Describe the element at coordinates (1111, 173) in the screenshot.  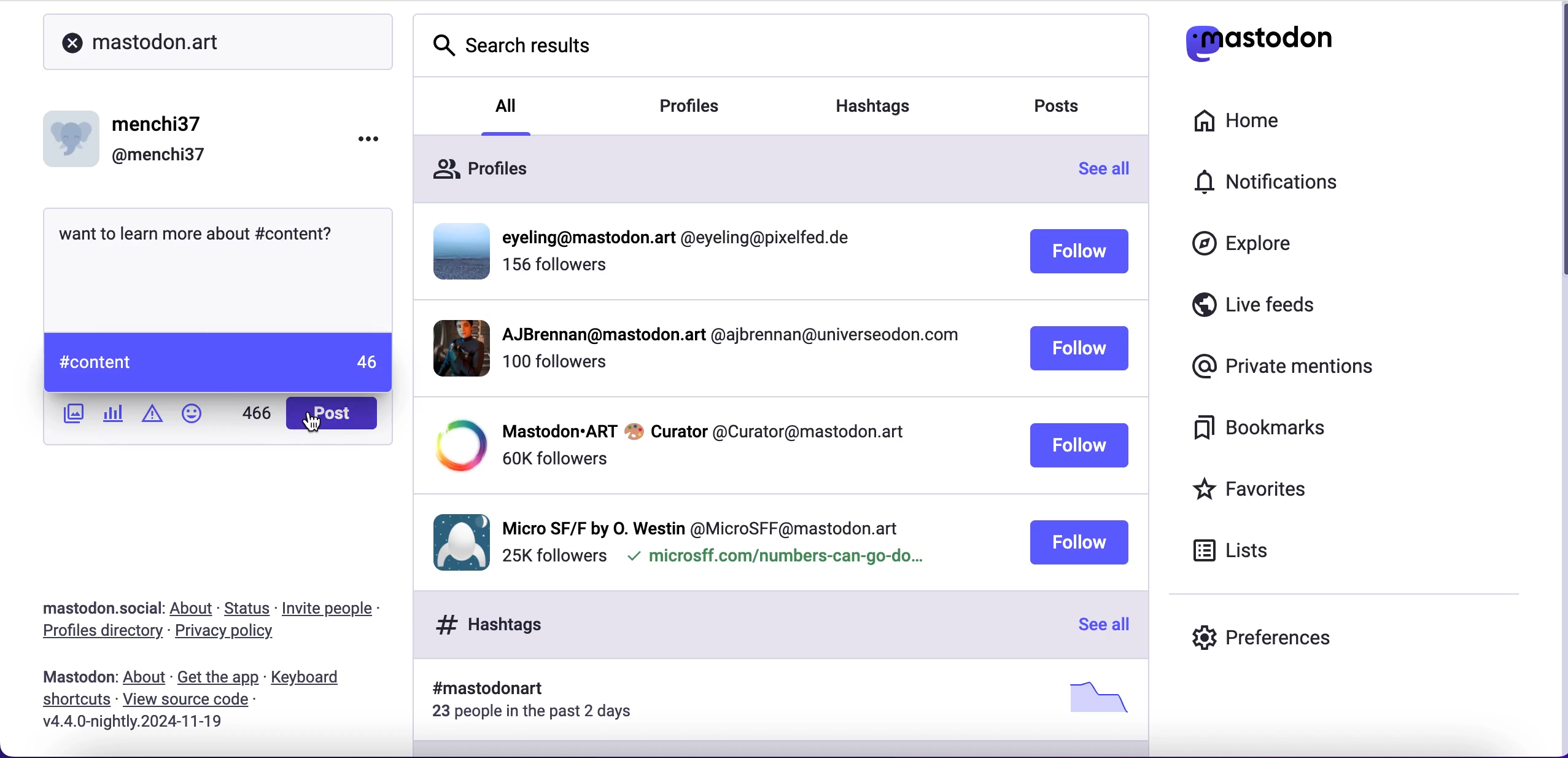
I see `see all` at that location.